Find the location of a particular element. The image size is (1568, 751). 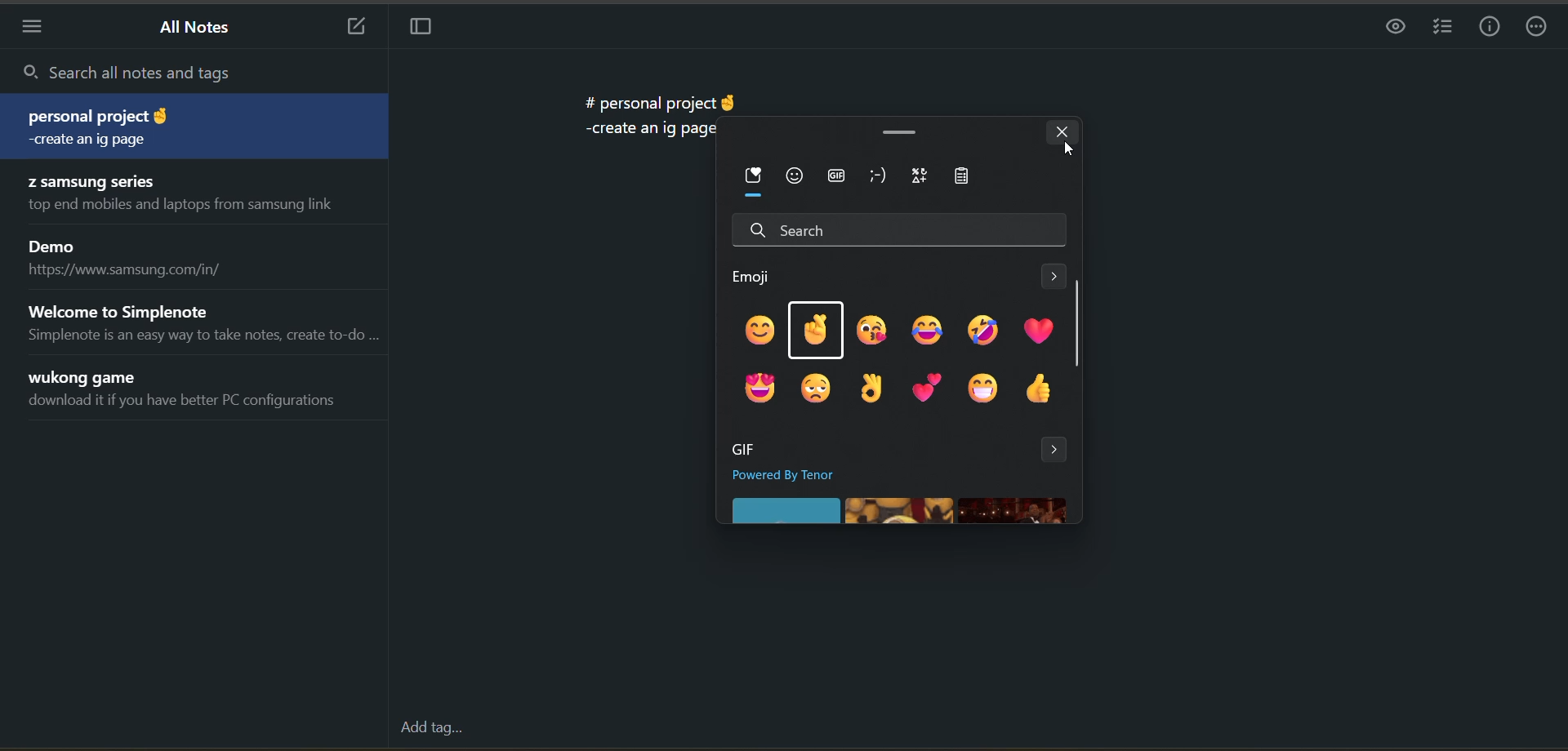

powered by tenor is located at coordinates (800, 475).